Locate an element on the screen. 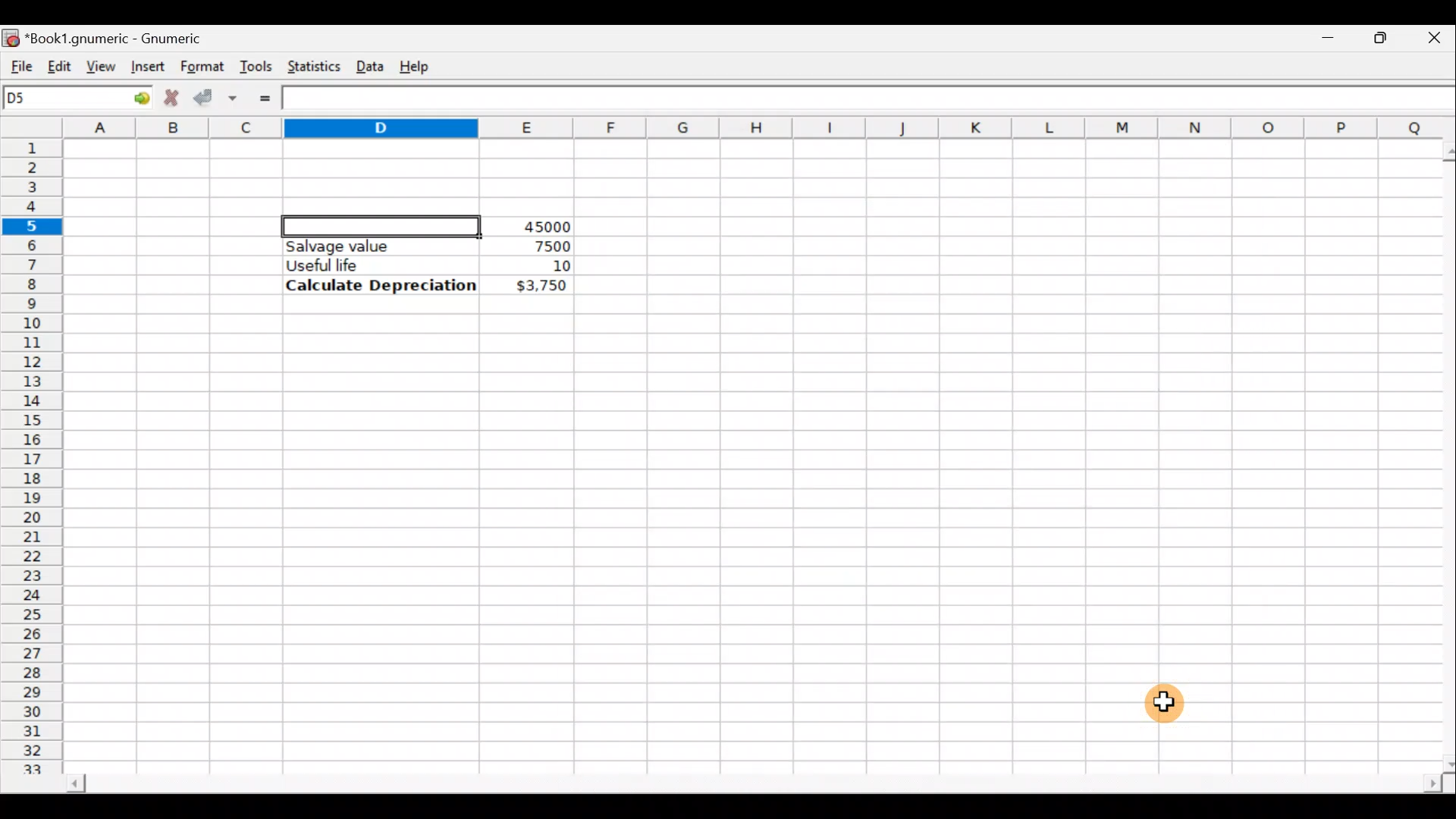 The width and height of the screenshot is (1456, 819). Help is located at coordinates (417, 65).